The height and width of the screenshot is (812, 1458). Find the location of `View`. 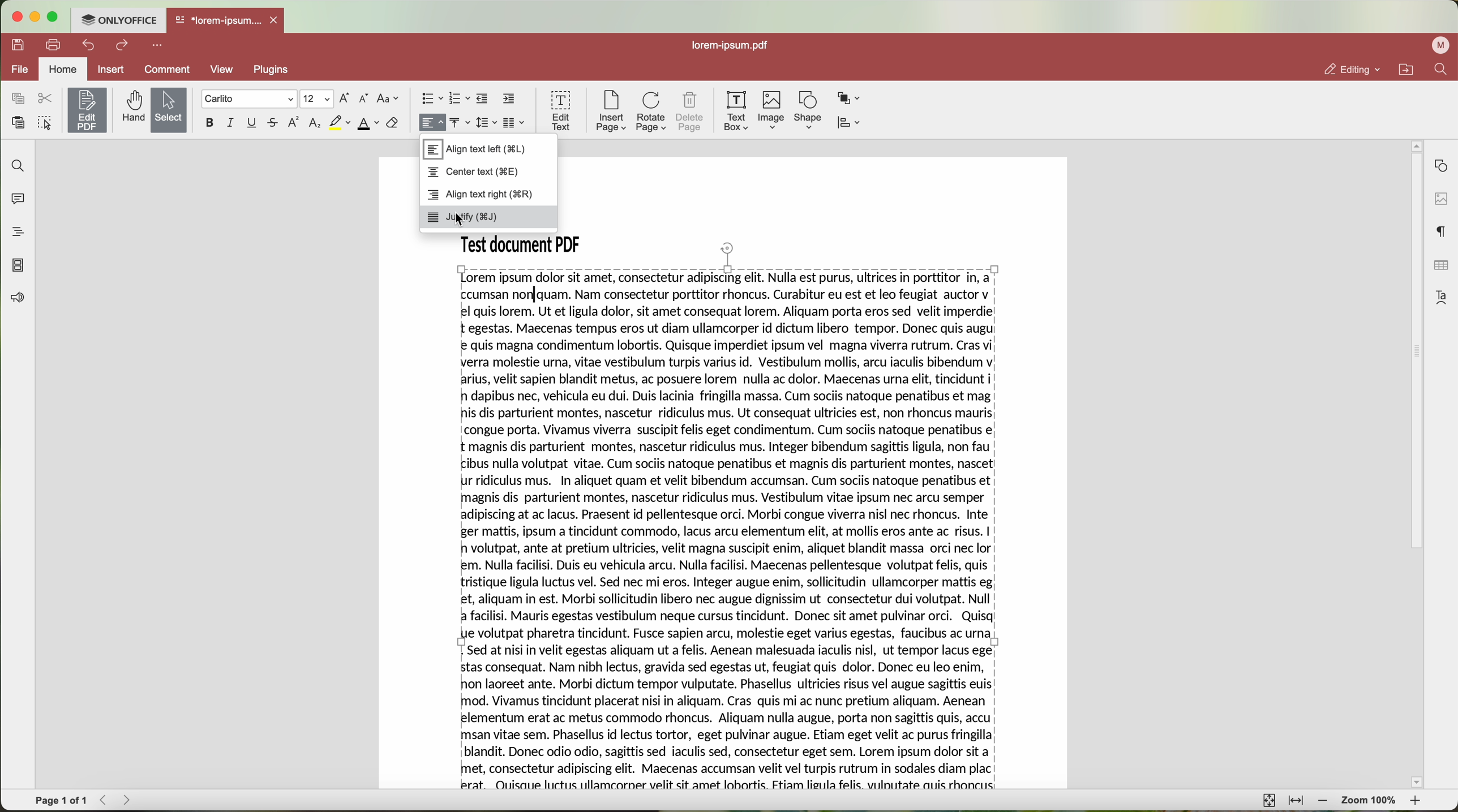

View is located at coordinates (225, 70).